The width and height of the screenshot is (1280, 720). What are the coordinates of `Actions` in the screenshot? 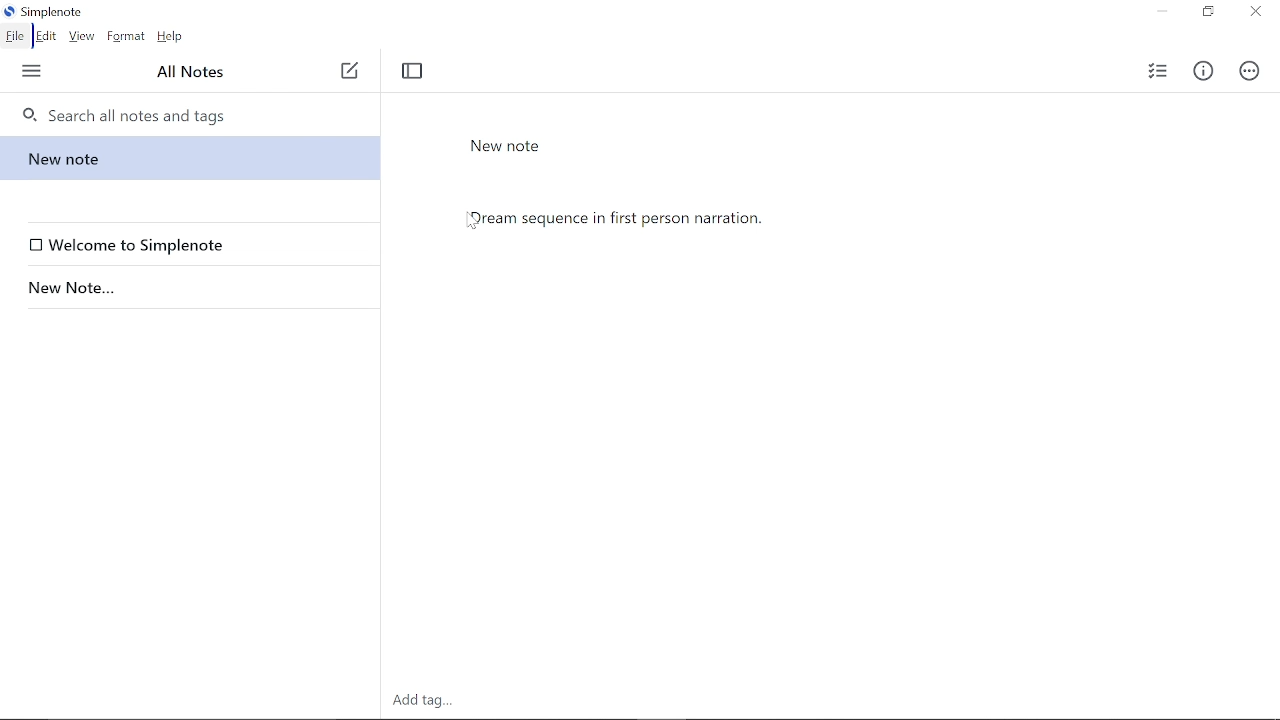 It's located at (1250, 71).